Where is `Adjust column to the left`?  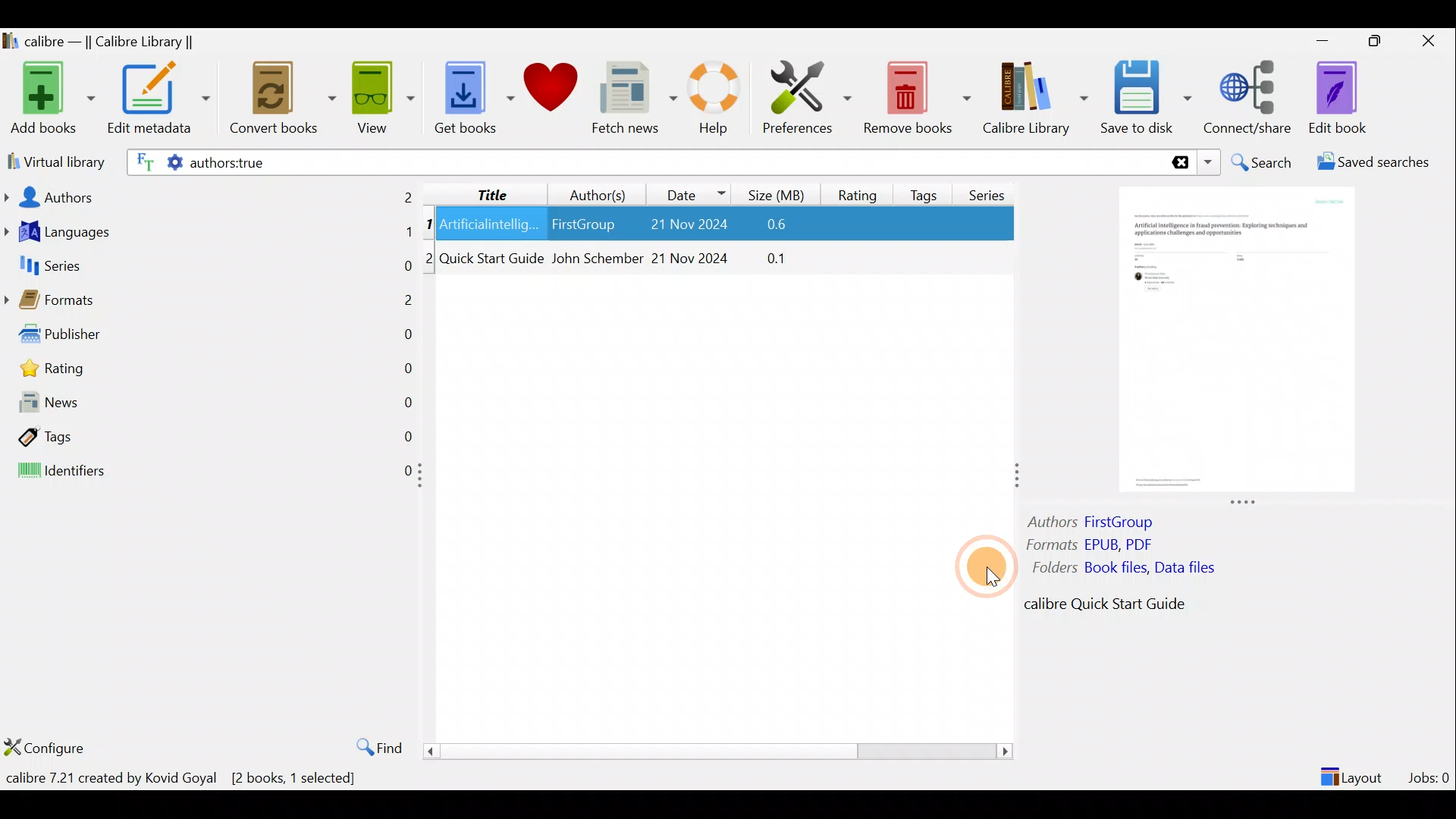 Adjust column to the left is located at coordinates (425, 480).